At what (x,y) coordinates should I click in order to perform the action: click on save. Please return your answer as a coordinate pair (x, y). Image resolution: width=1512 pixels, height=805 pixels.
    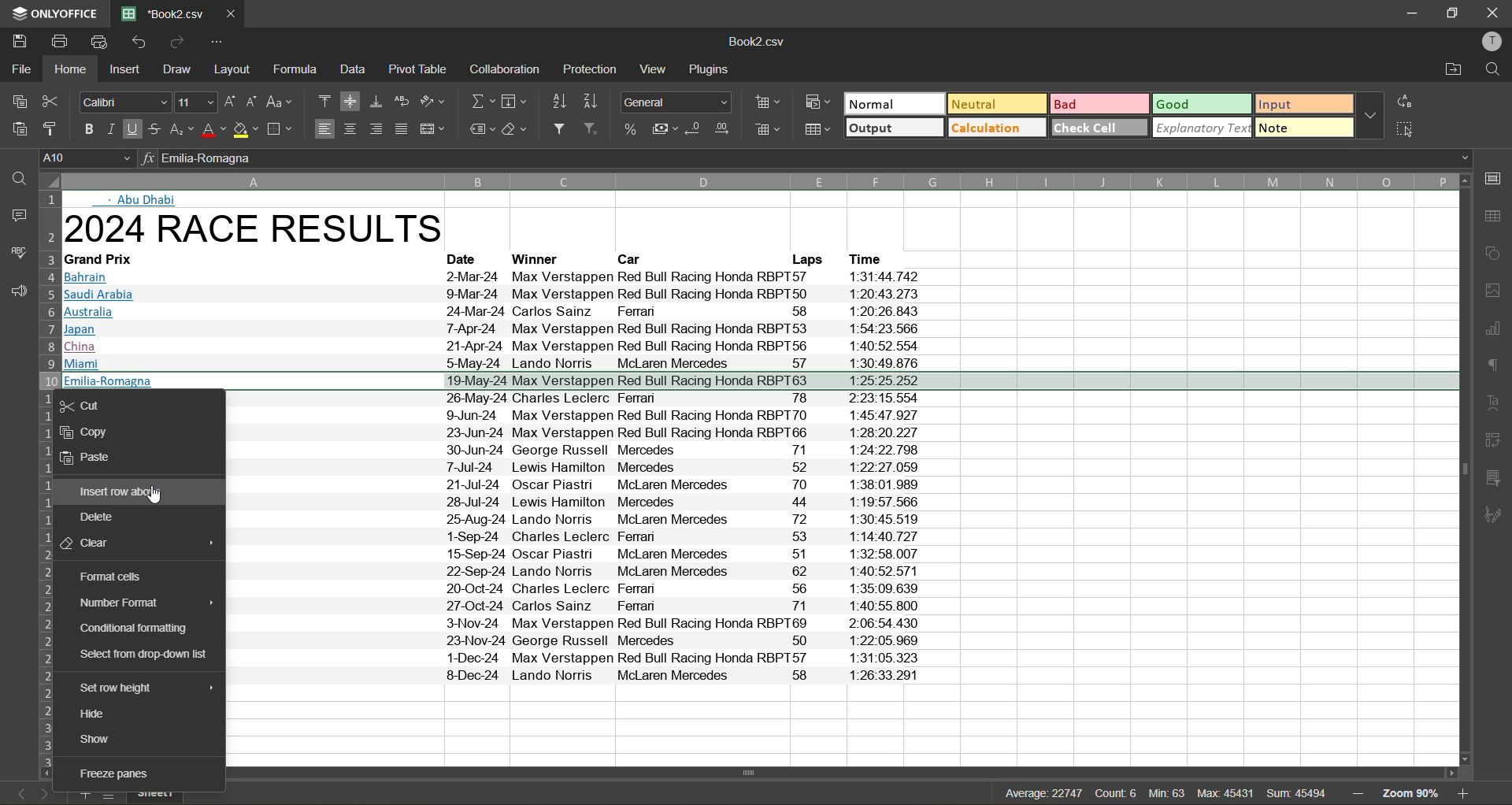
    Looking at the image, I should click on (16, 41).